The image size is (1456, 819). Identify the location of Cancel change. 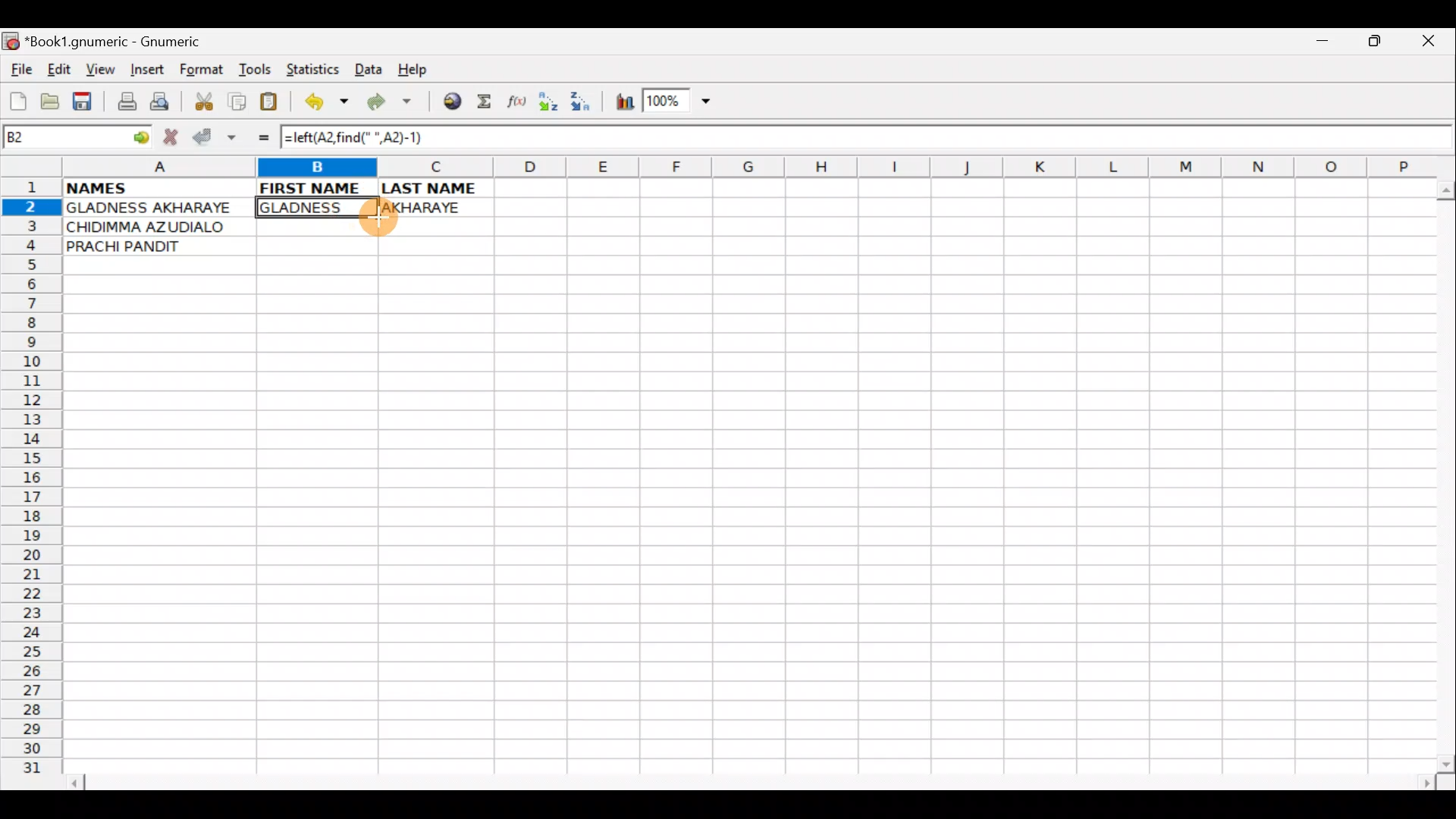
(174, 134).